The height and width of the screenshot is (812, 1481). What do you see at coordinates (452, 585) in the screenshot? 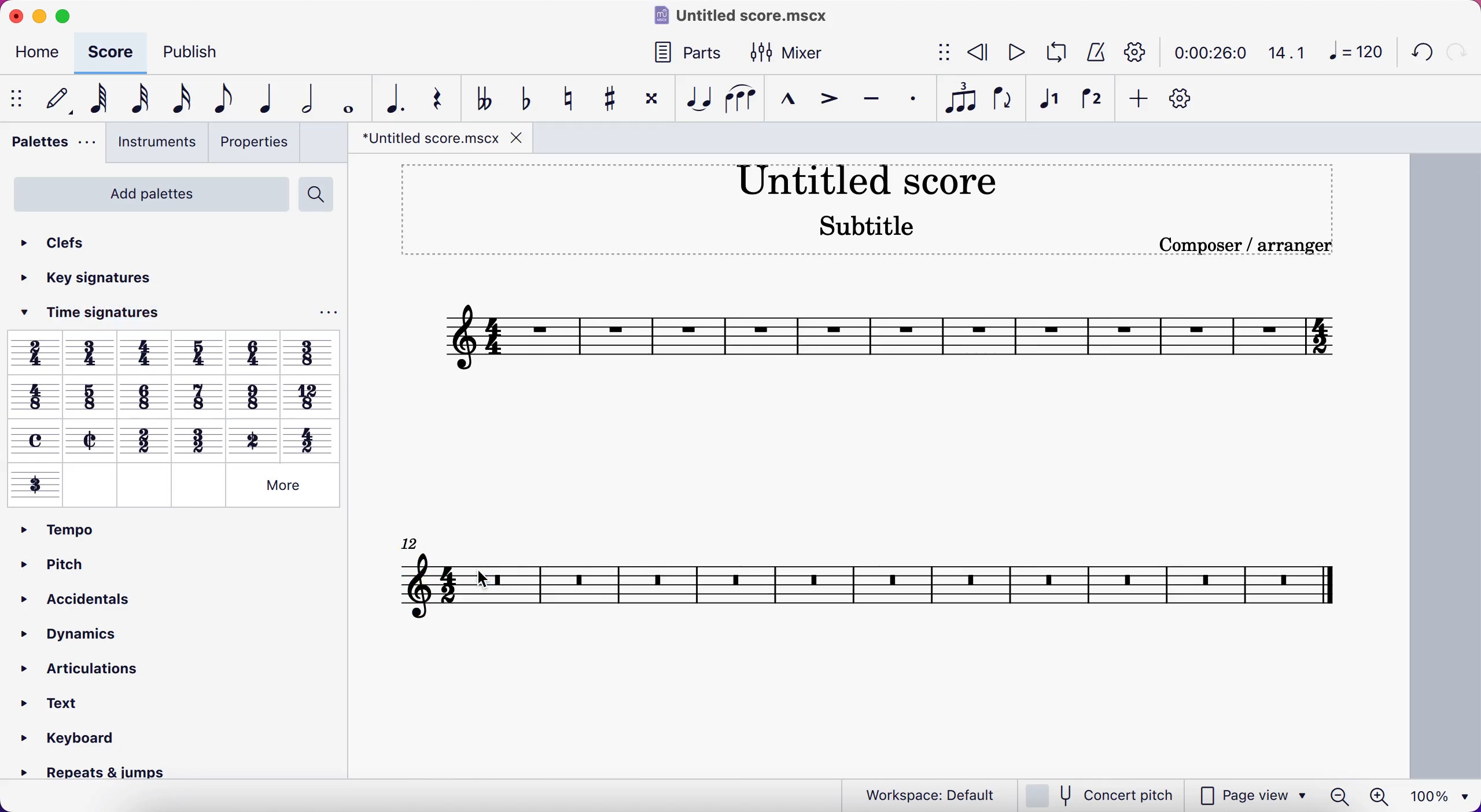
I see `time signature applies` at bounding box center [452, 585].